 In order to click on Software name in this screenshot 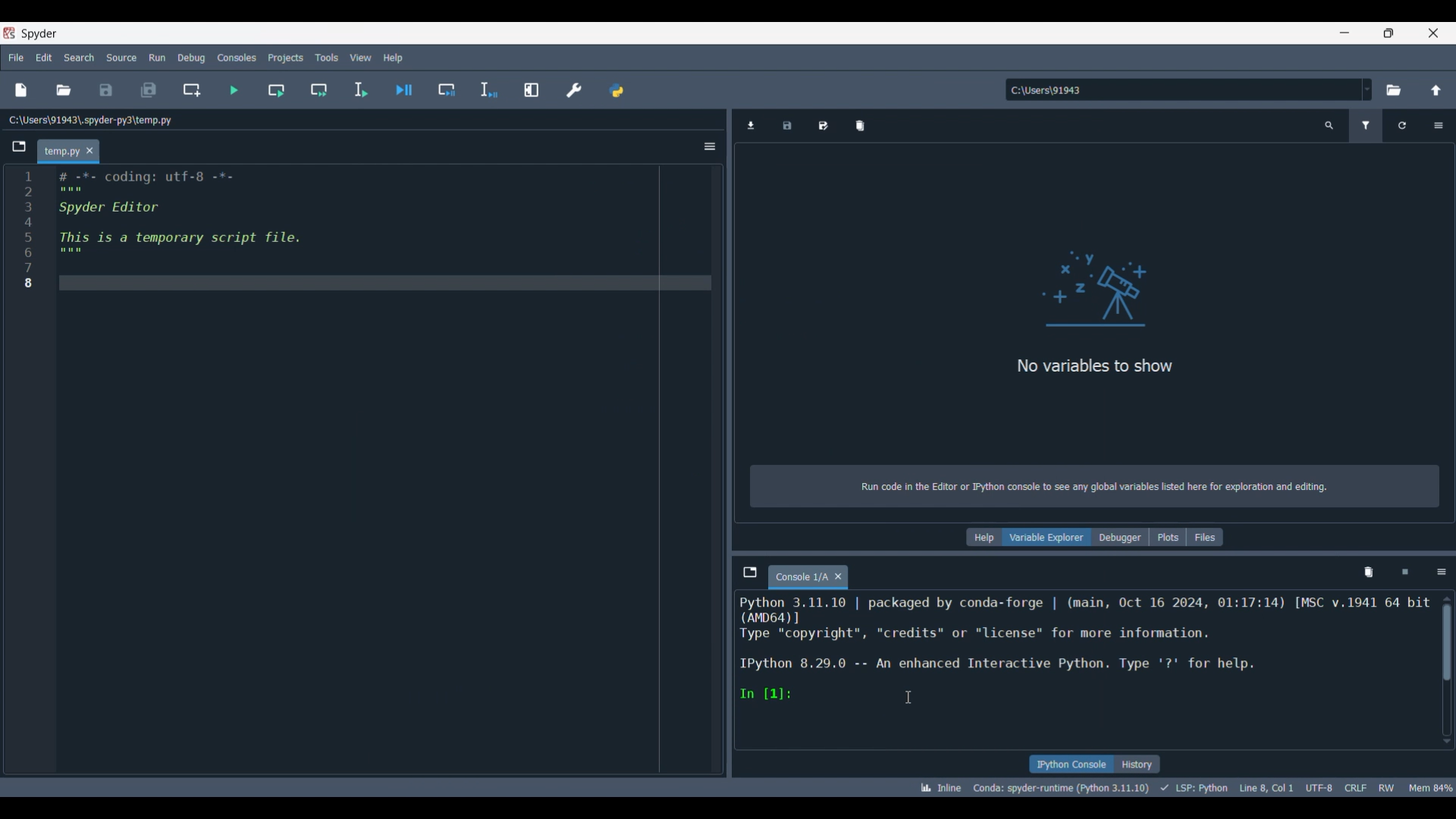, I will do `click(39, 34)`.